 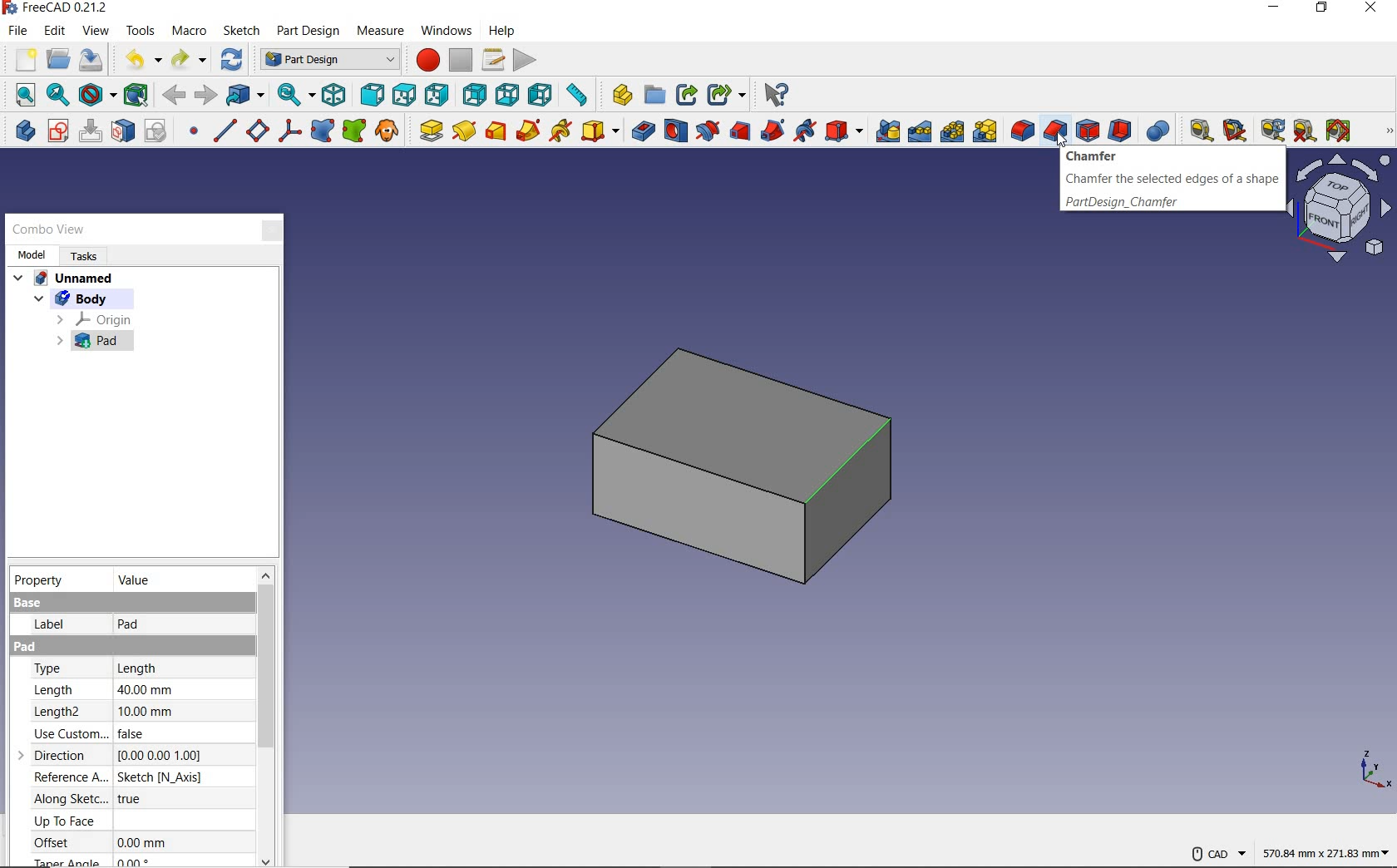 What do you see at coordinates (136, 96) in the screenshot?
I see `bounding box` at bounding box center [136, 96].